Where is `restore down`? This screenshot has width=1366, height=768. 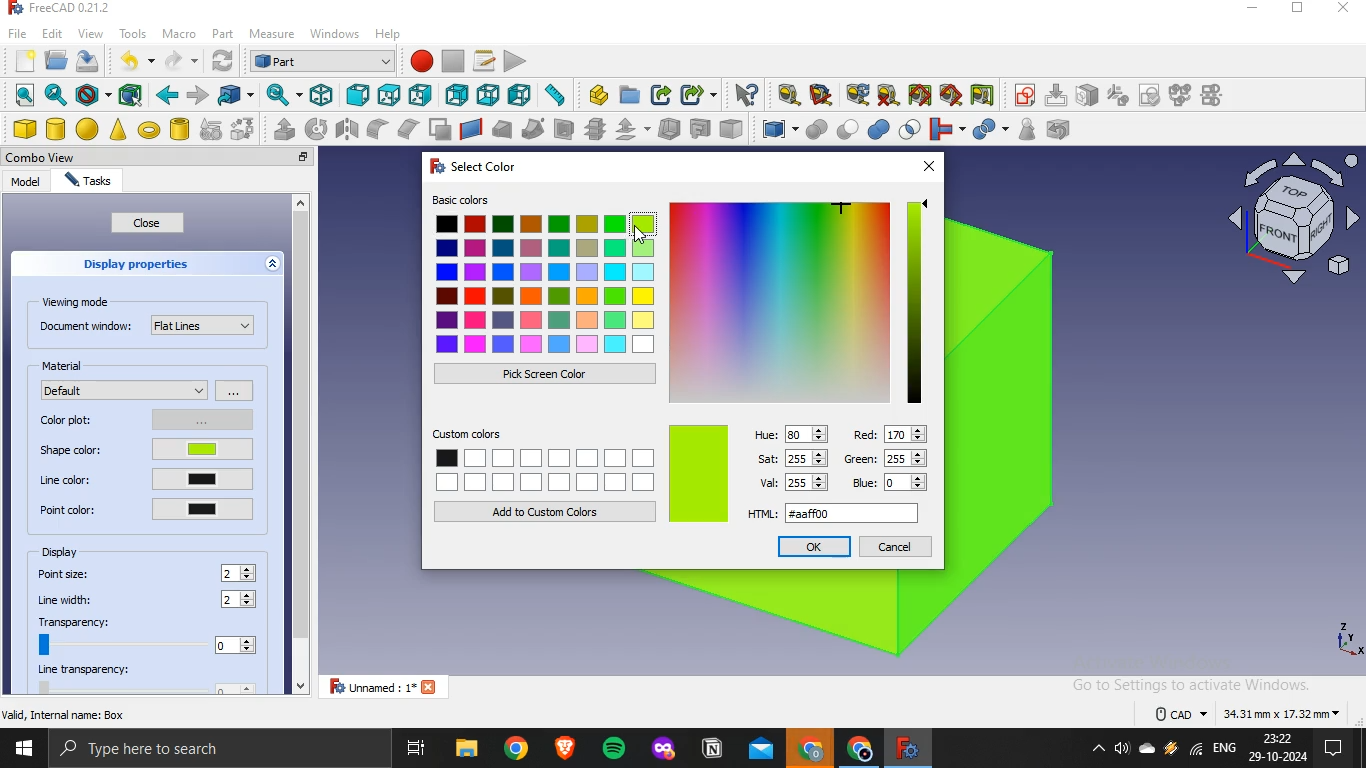 restore down is located at coordinates (1297, 10).